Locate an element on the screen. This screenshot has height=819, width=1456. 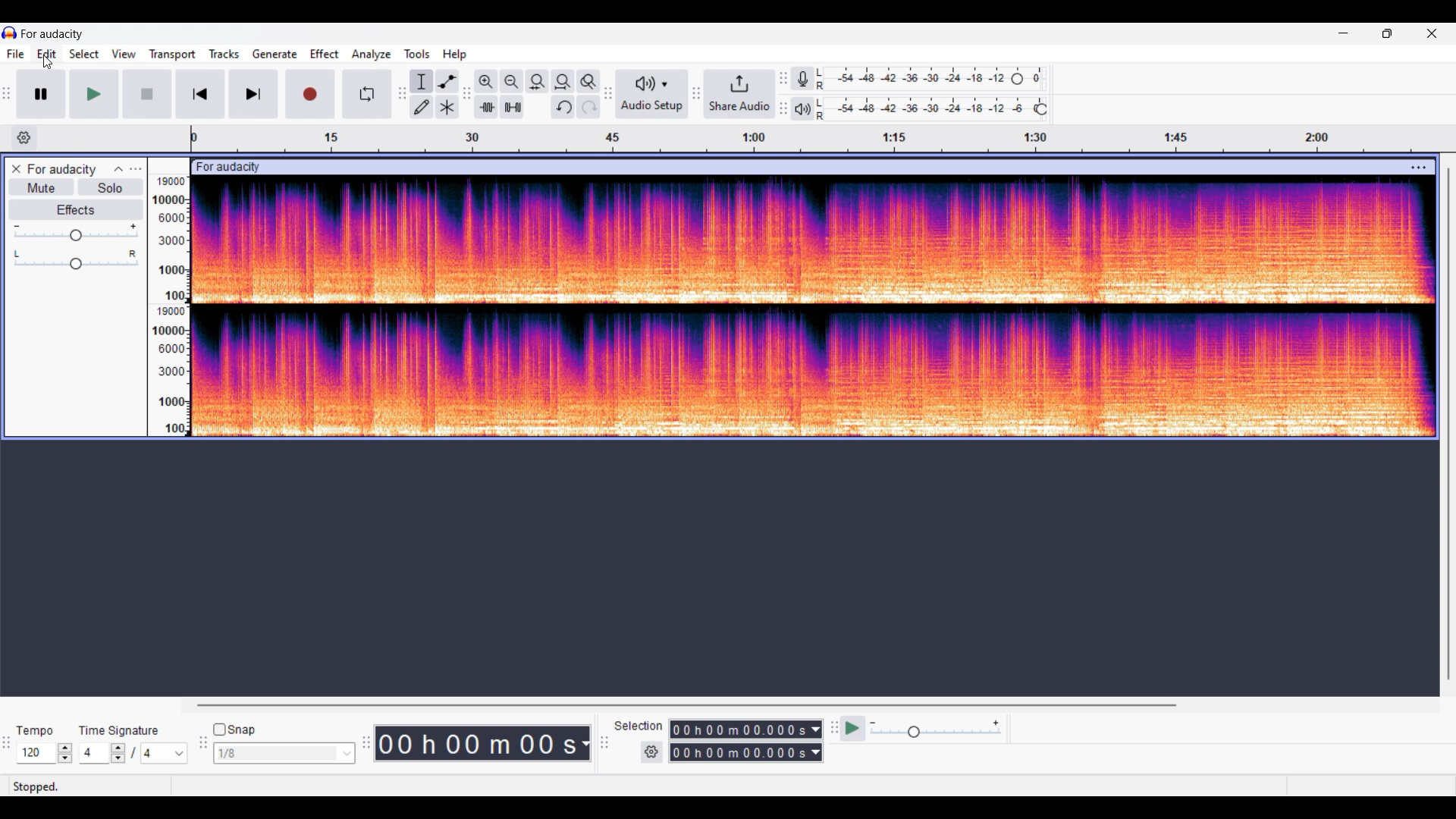
Zoom in is located at coordinates (487, 82).